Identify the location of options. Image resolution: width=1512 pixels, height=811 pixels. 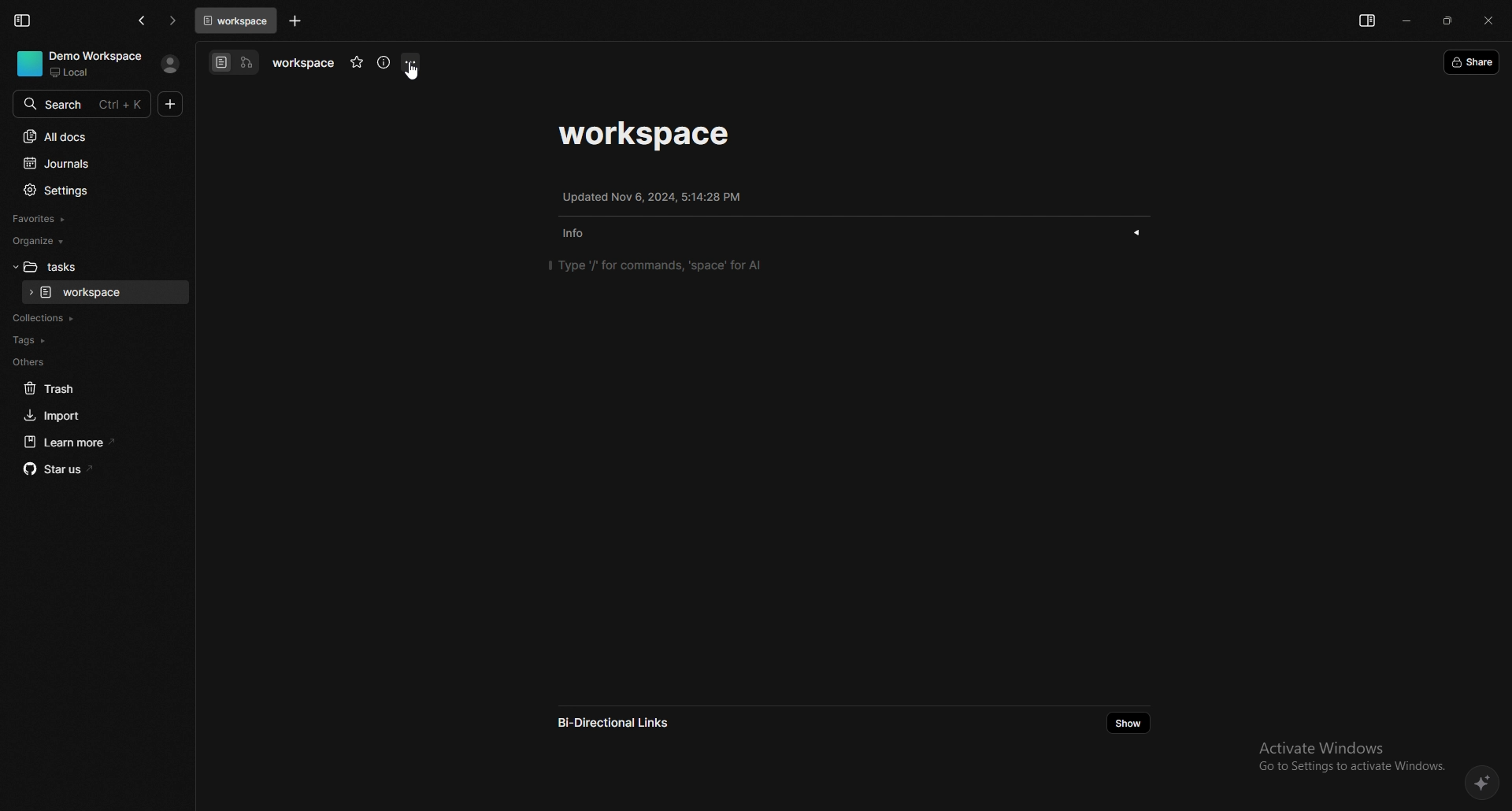
(411, 62).